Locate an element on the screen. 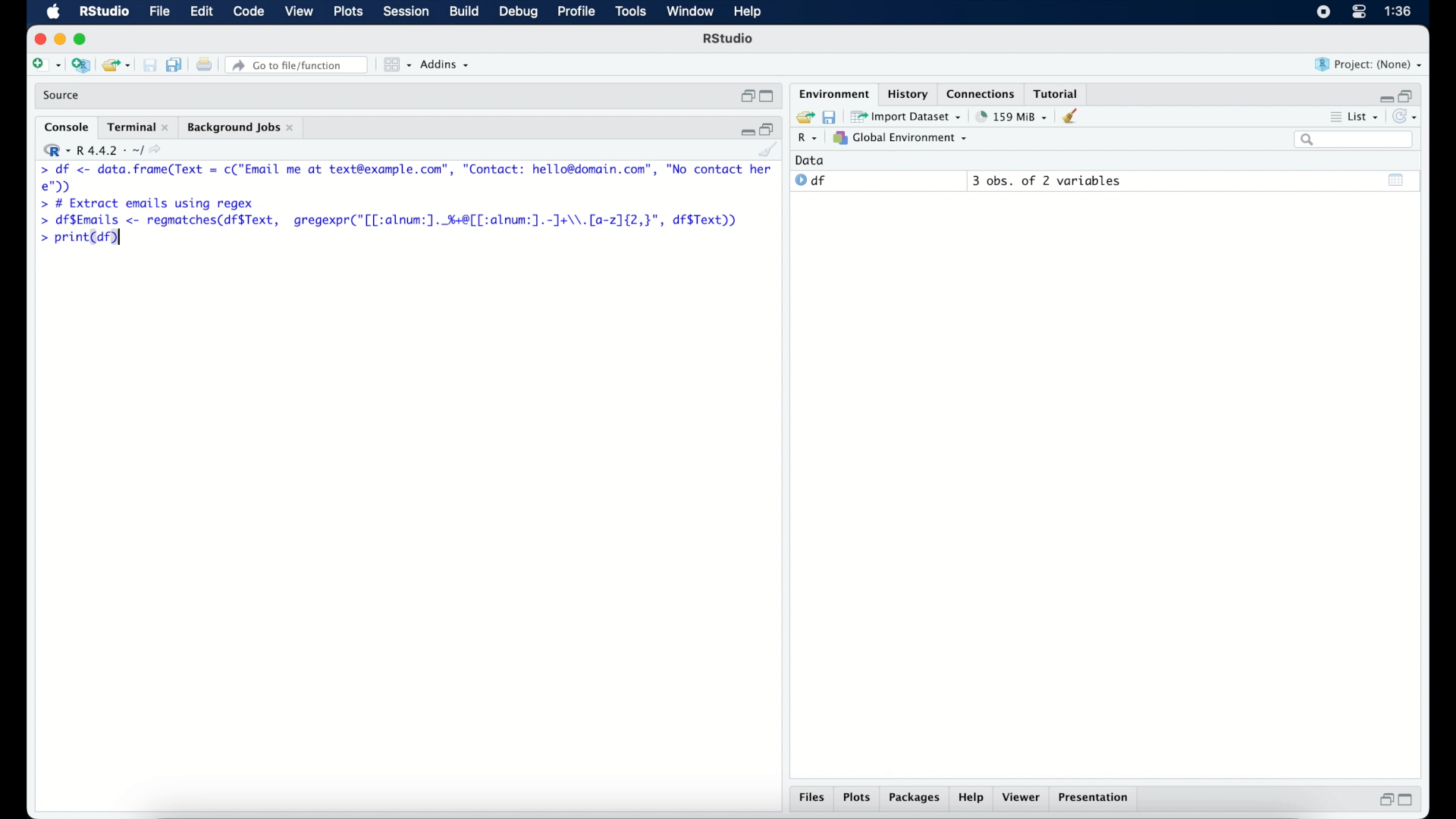 The height and width of the screenshot is (819, 1456). viewer is located at coordinates (1023, 798).